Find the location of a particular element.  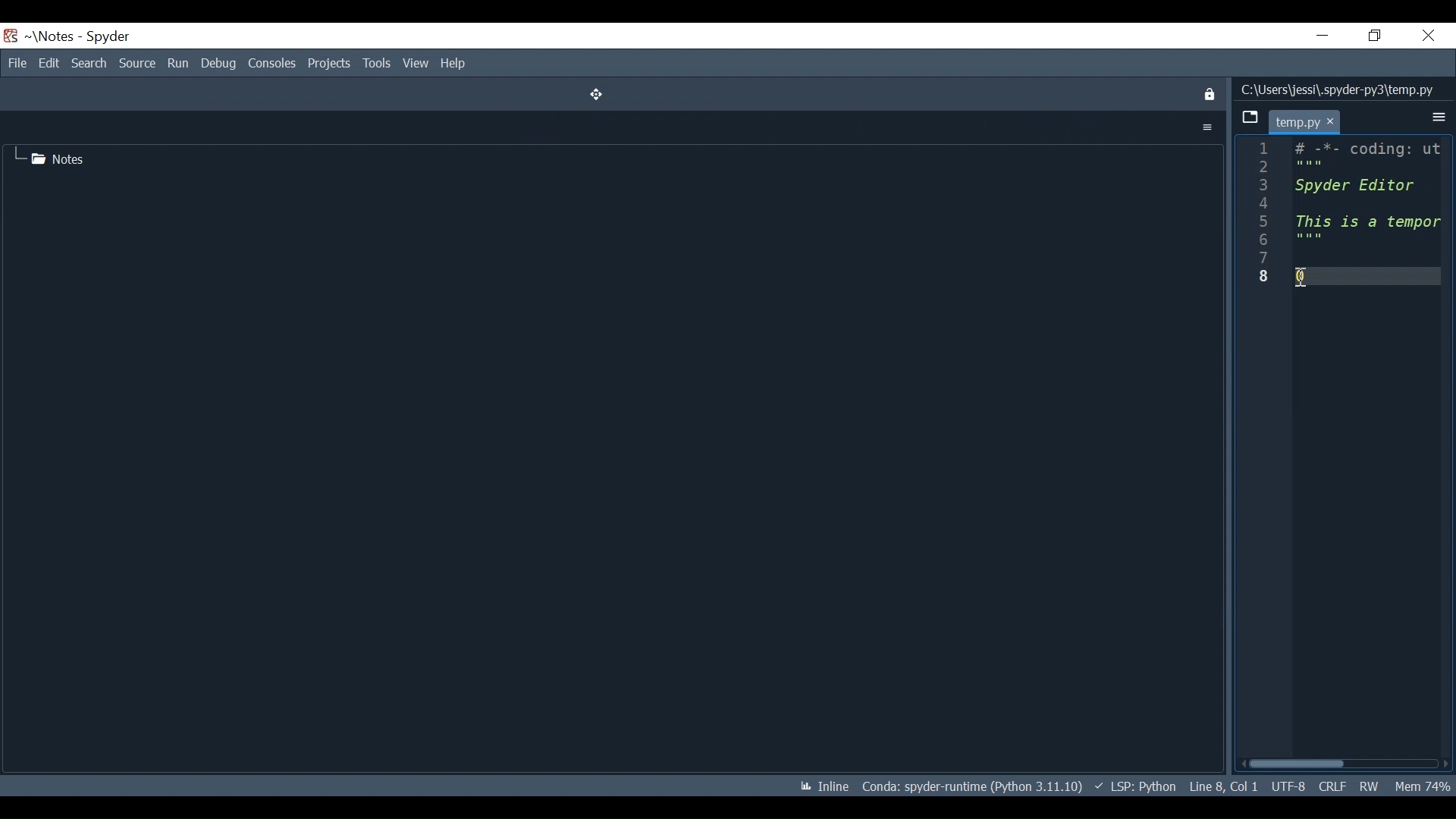

Insertion Cursor is located at coordinates (1304, 275).